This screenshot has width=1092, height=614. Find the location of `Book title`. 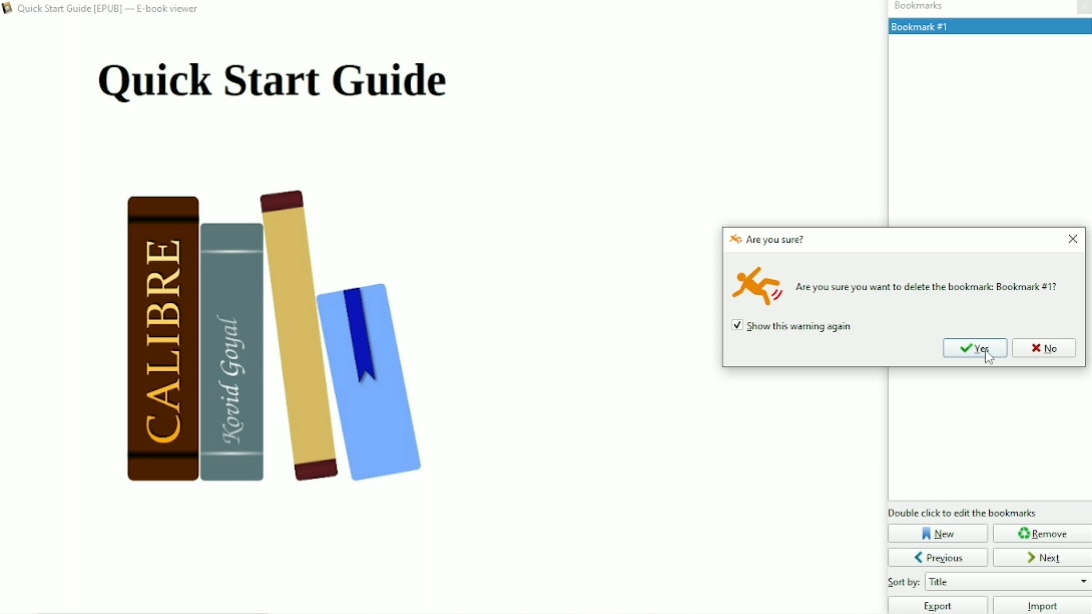

Book title is located at coordinates (112, 9).